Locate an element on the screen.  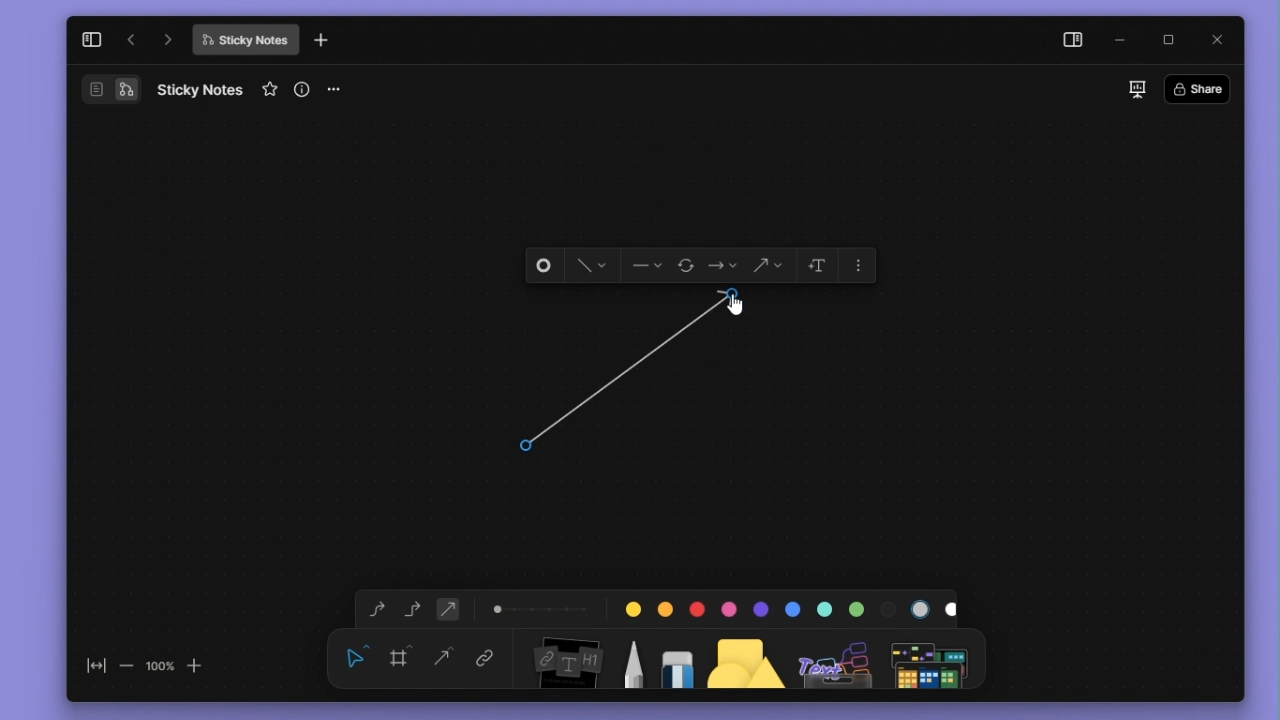
eraser is located at coordinates (673, 657).